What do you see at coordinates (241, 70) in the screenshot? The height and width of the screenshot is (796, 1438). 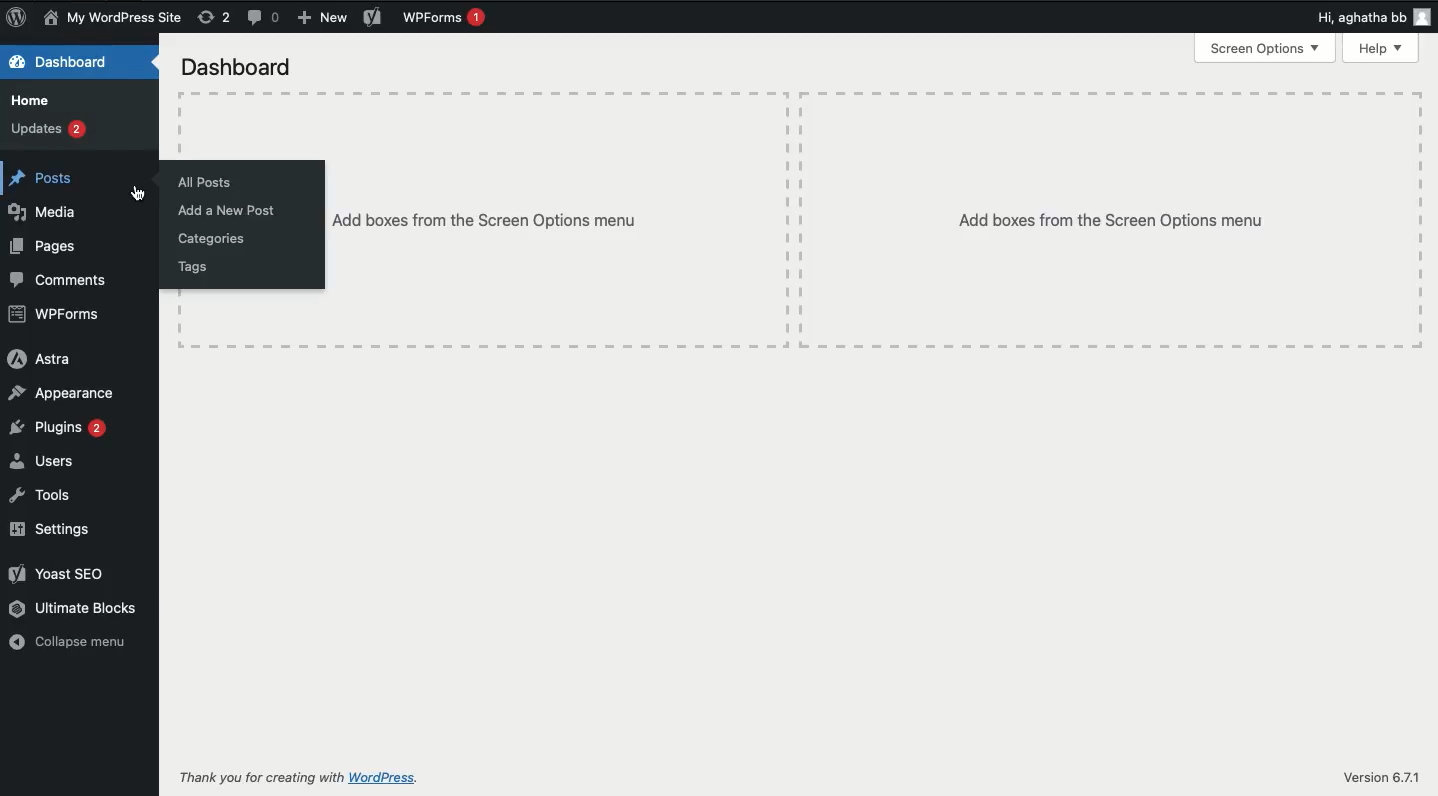 I see `screen options` at bounding box center [241, 70].